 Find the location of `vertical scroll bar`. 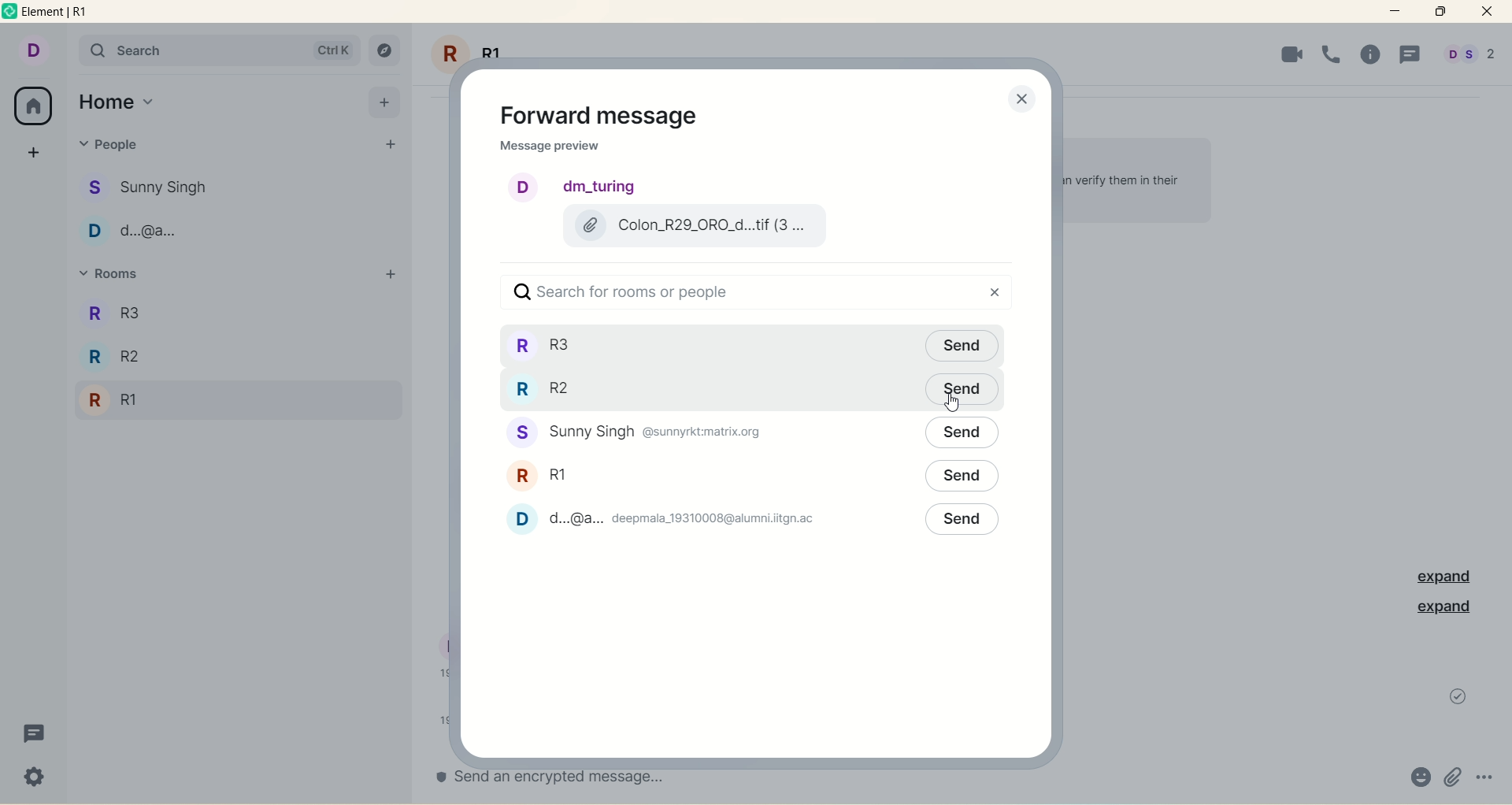

vertical scroll bar is located at coordinates (1503, 421).